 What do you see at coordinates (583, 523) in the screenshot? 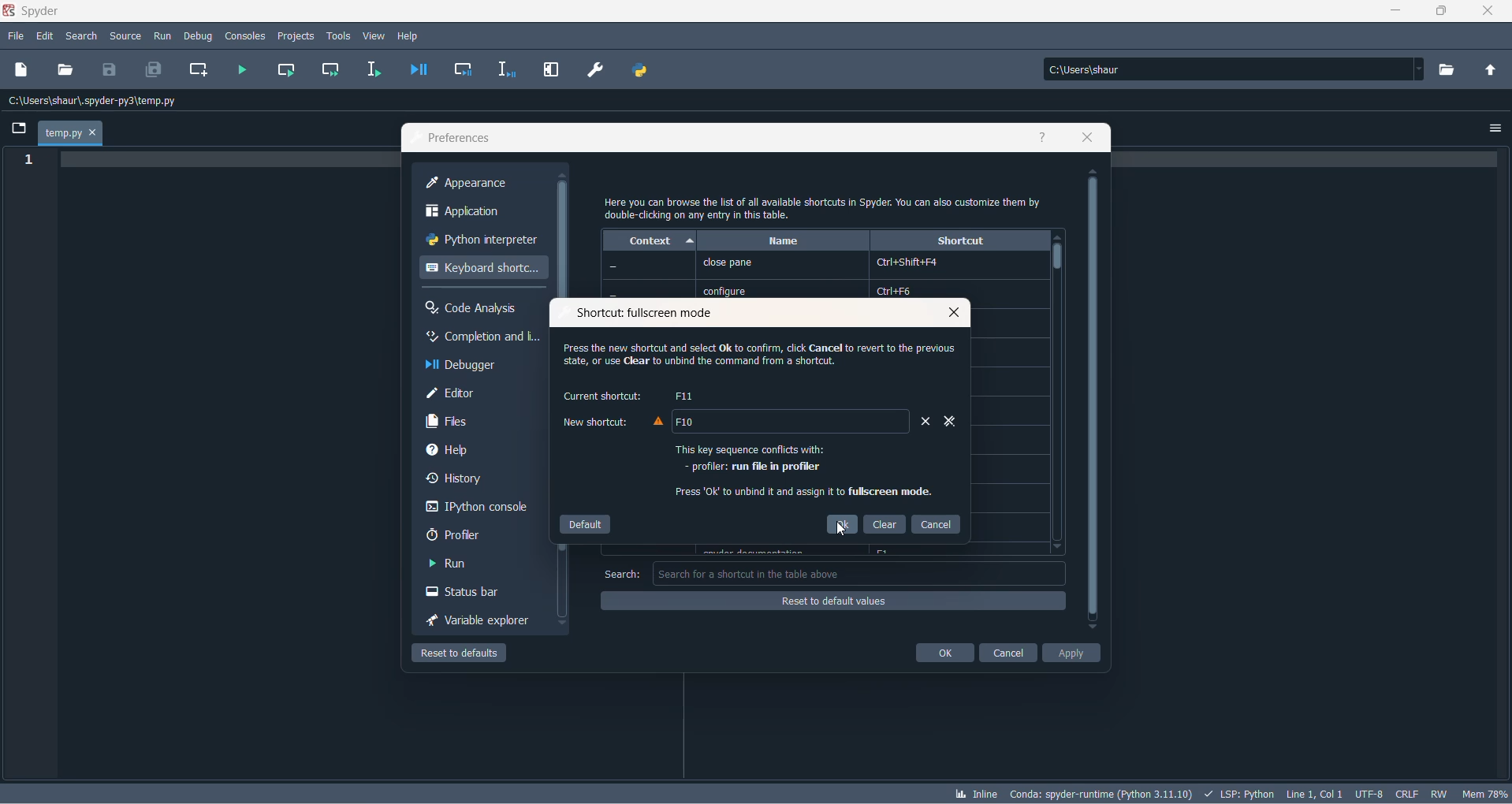
I see `default` at bounding box center [583, 523].